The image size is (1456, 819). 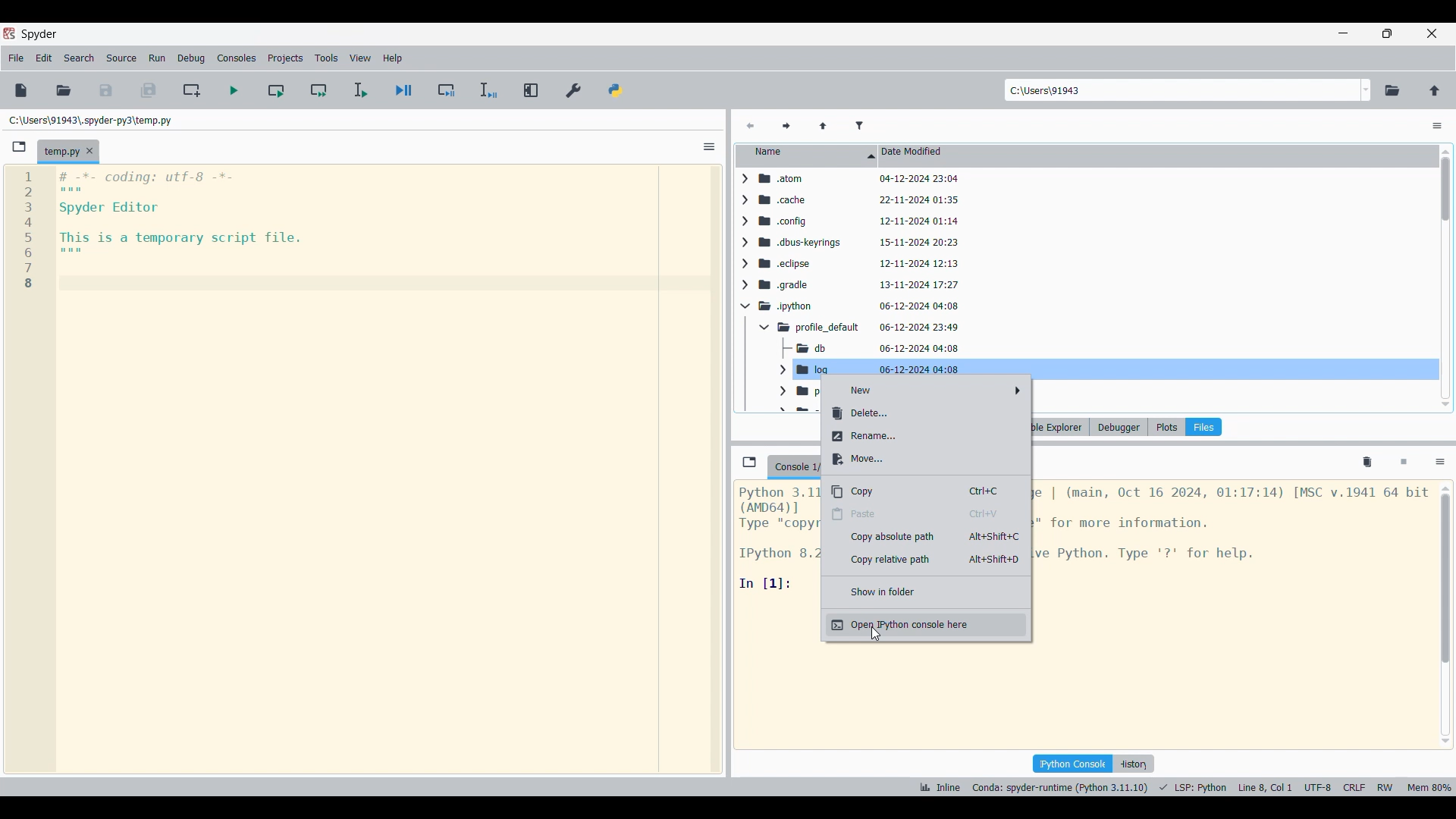 I want to click on View menu, so click(x=360, y=58).